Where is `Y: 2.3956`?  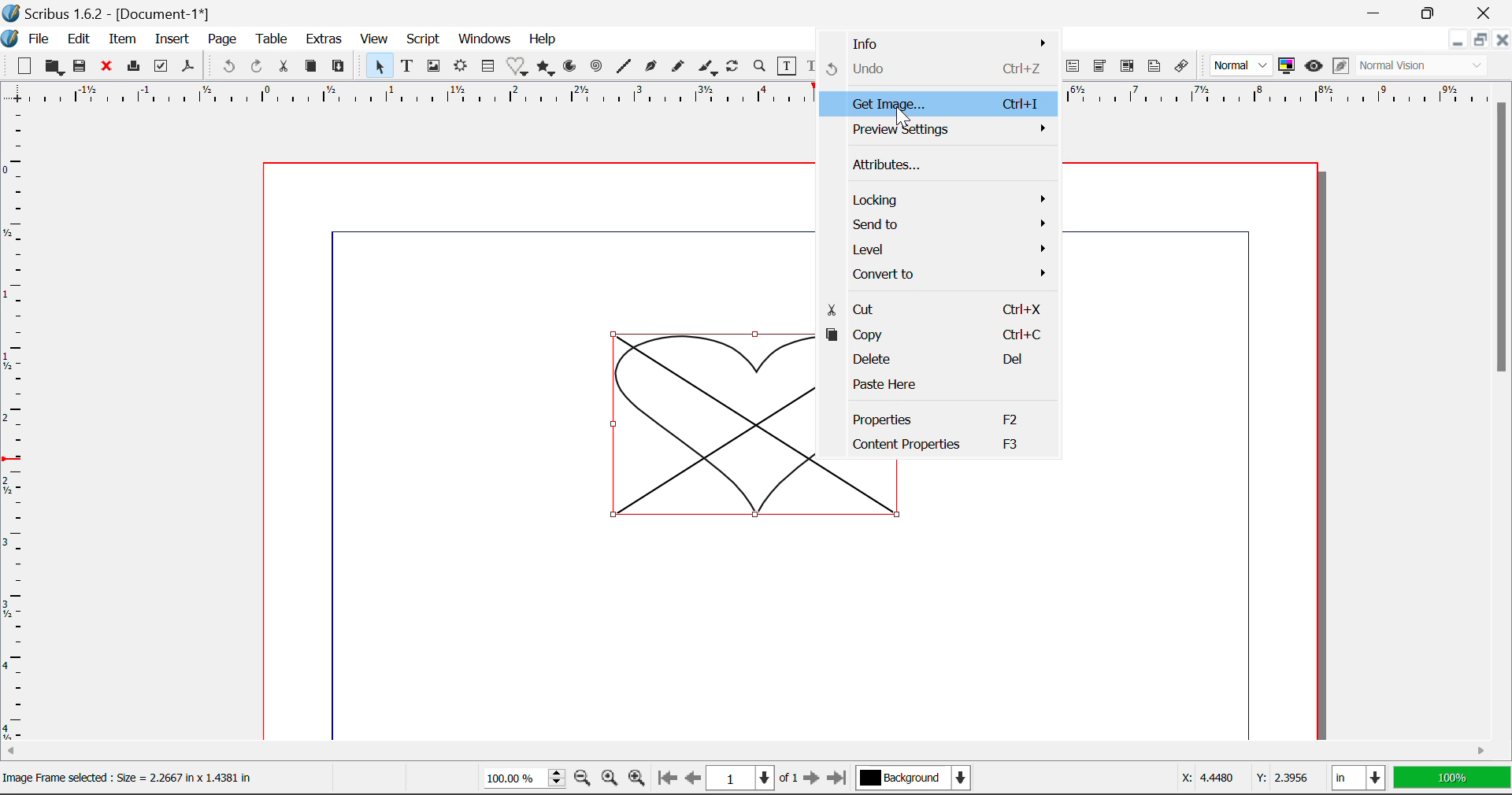 Y: 2.3956 is located at coordinates (1281, 776).